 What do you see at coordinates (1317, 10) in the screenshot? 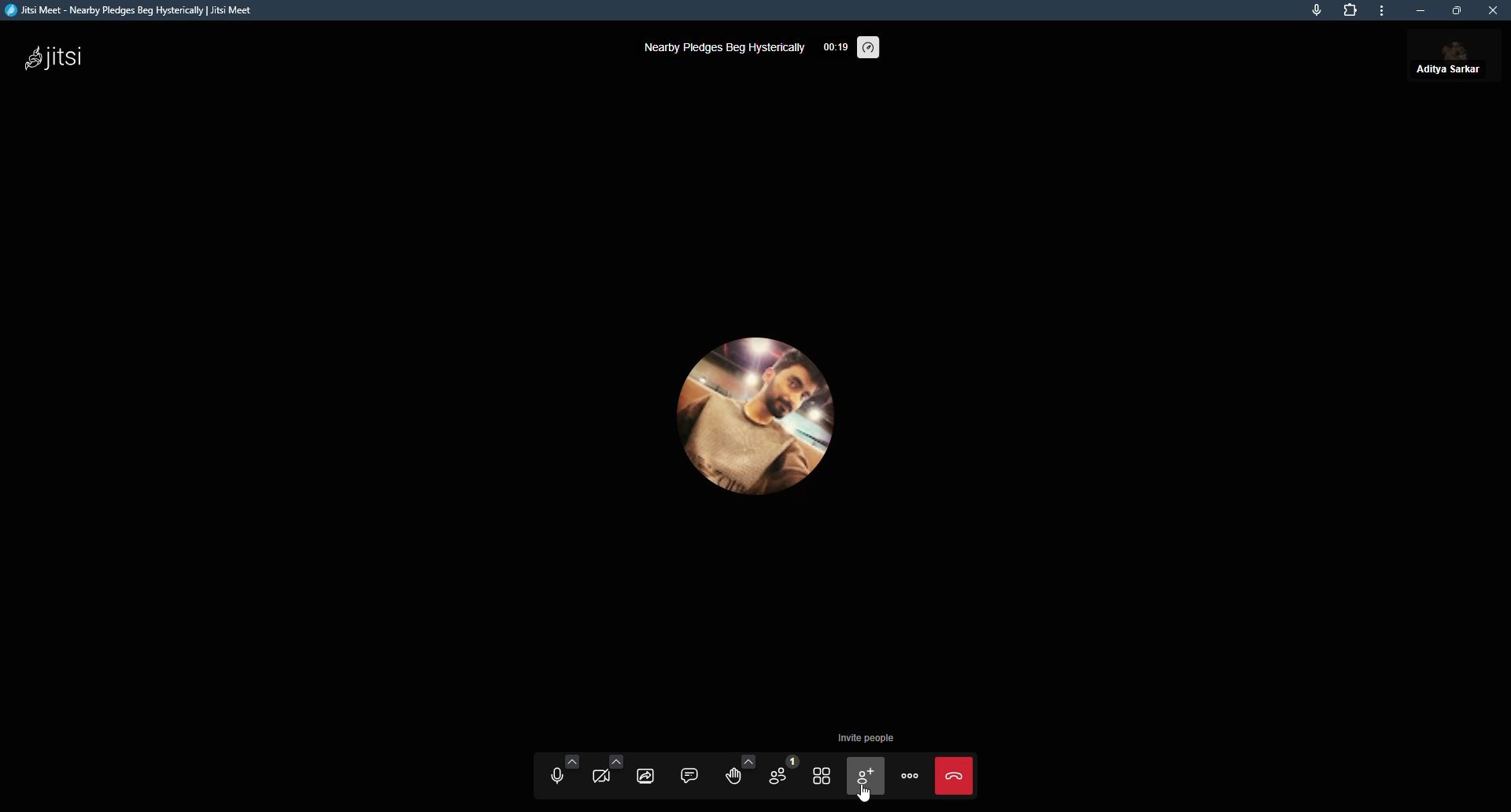
I see `mic` at bounding box center [1317, 10].